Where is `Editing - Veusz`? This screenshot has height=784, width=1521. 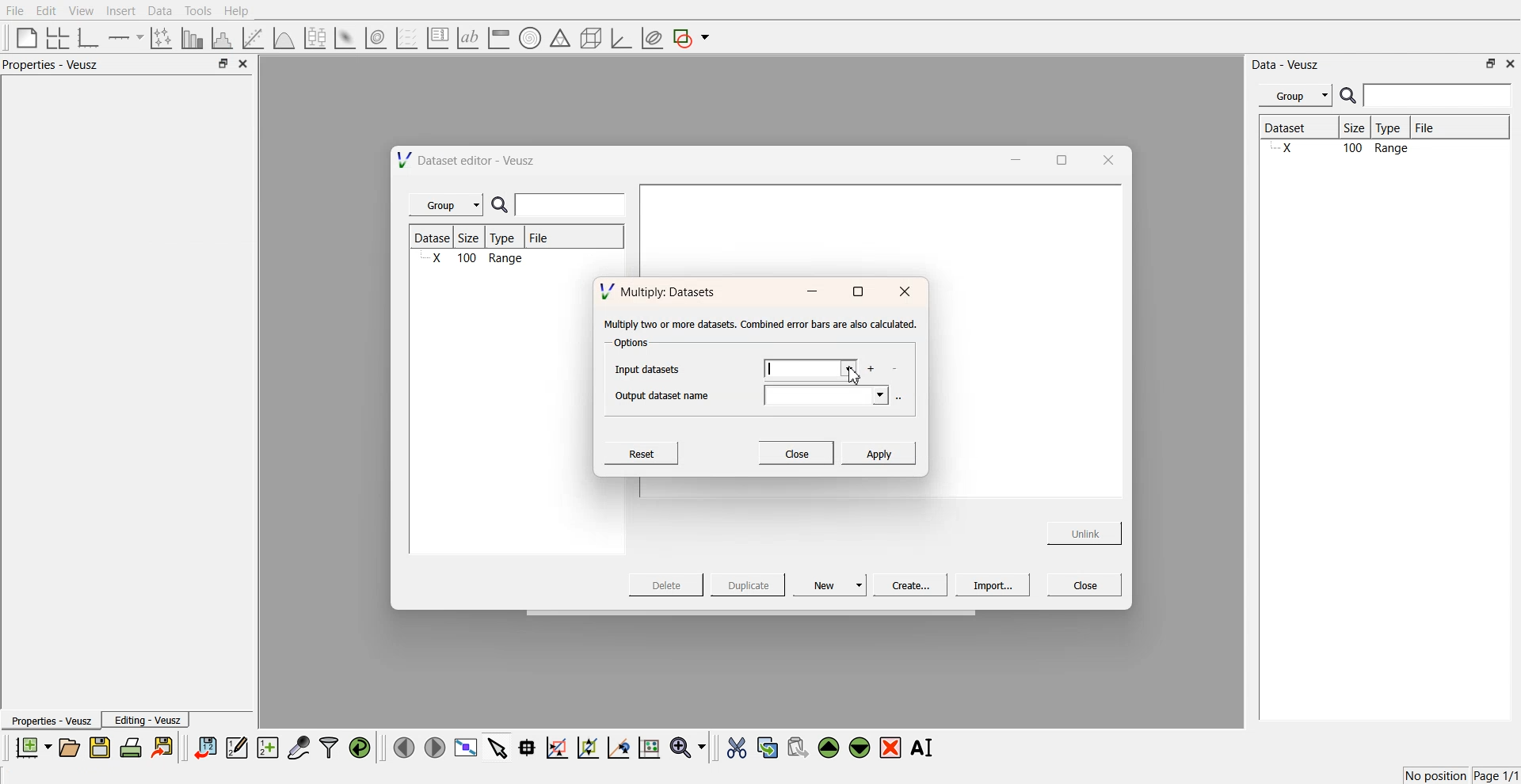
Editing - Veusz is located at coordinates (147, 720).